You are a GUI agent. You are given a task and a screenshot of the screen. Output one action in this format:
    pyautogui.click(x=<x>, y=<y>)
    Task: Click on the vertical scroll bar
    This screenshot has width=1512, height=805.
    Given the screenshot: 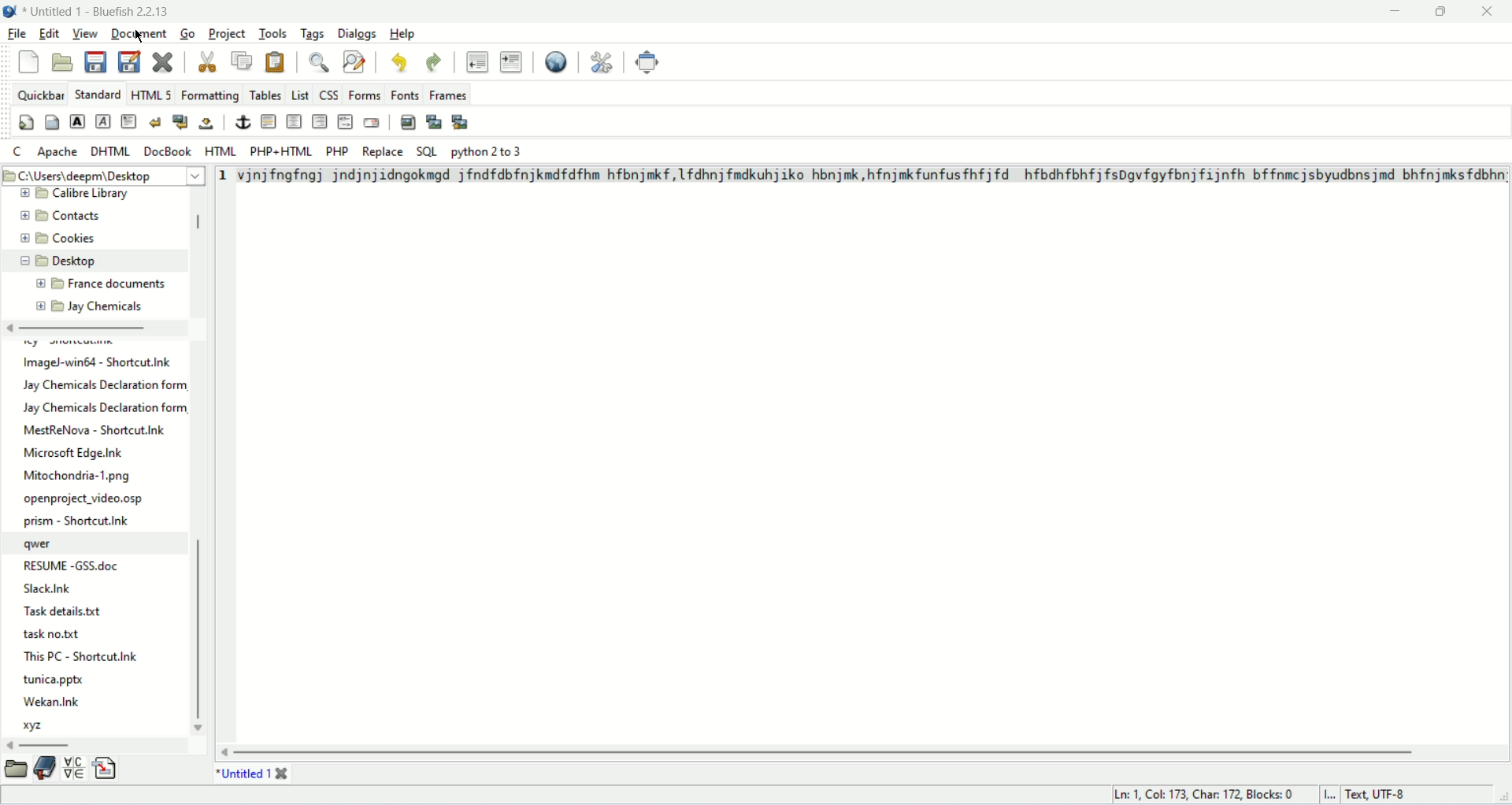 What is the action you would take?
    pyautogui.click(x=824, y=752)
    